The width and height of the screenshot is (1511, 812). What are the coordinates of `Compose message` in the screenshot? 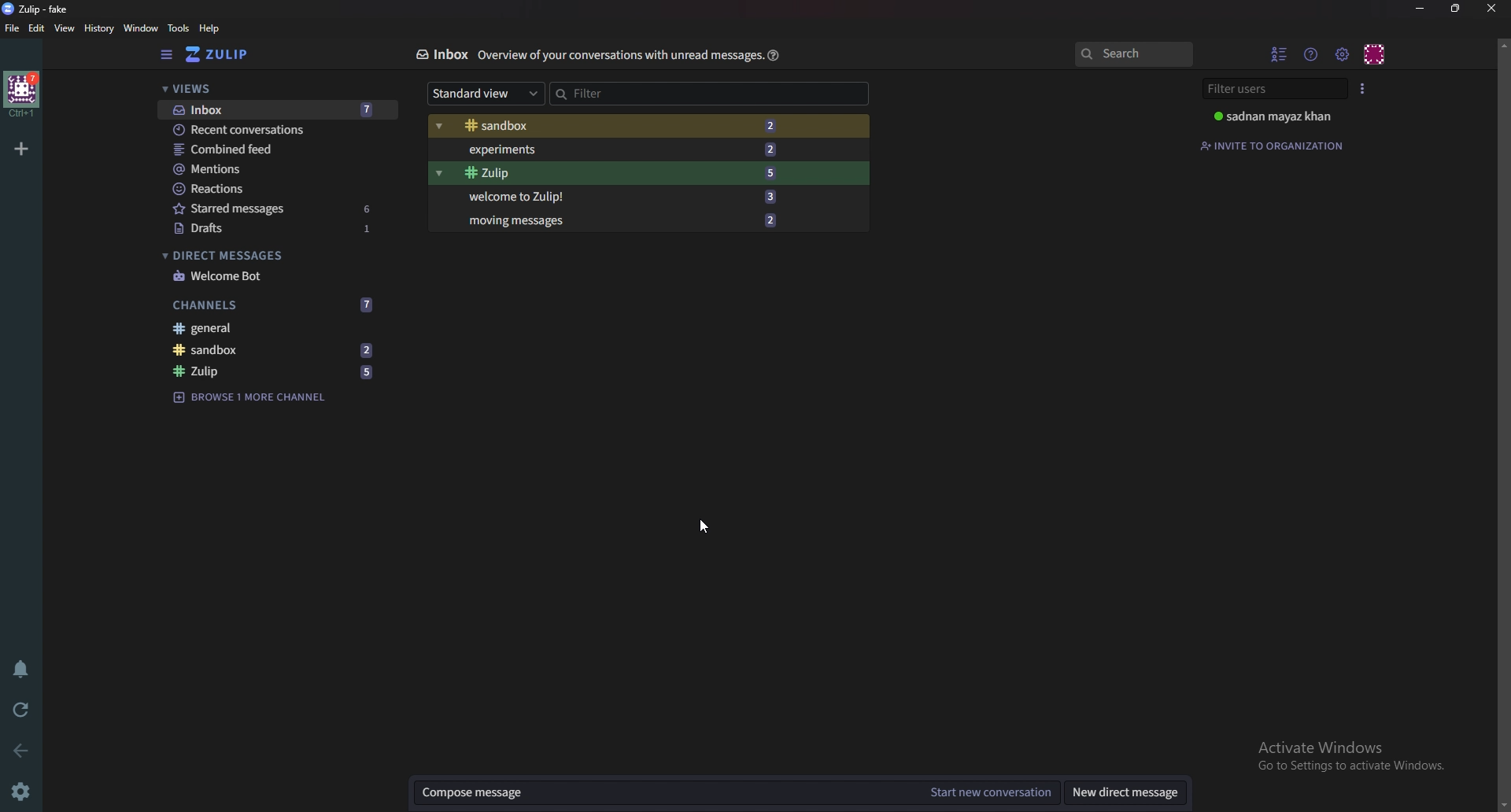 It's located at (661, 792).